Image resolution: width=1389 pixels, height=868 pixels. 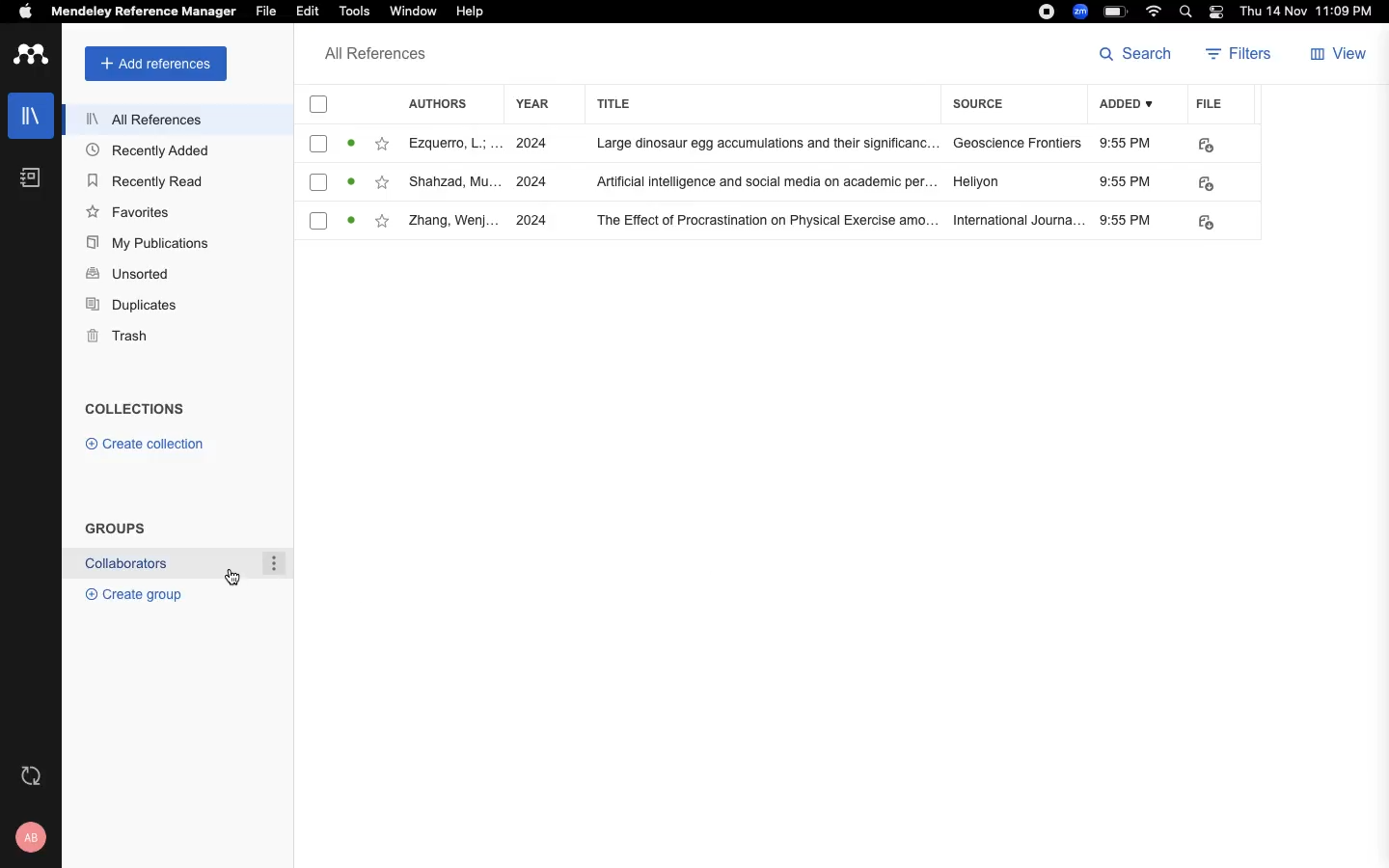 What do you see at coordinates (415, 14) in the screenshot?
I see `‘Window` at bounding box center [415, 14].